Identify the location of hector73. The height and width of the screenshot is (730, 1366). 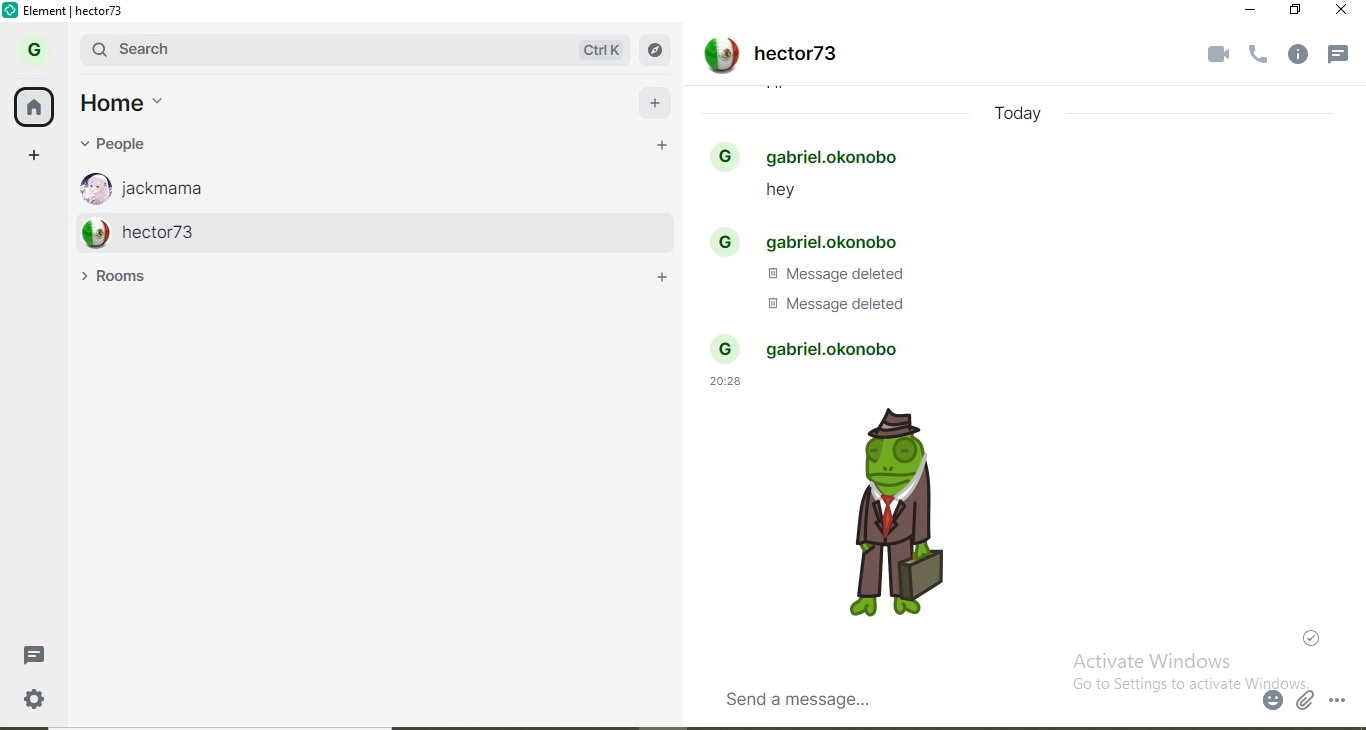
(356, 231).